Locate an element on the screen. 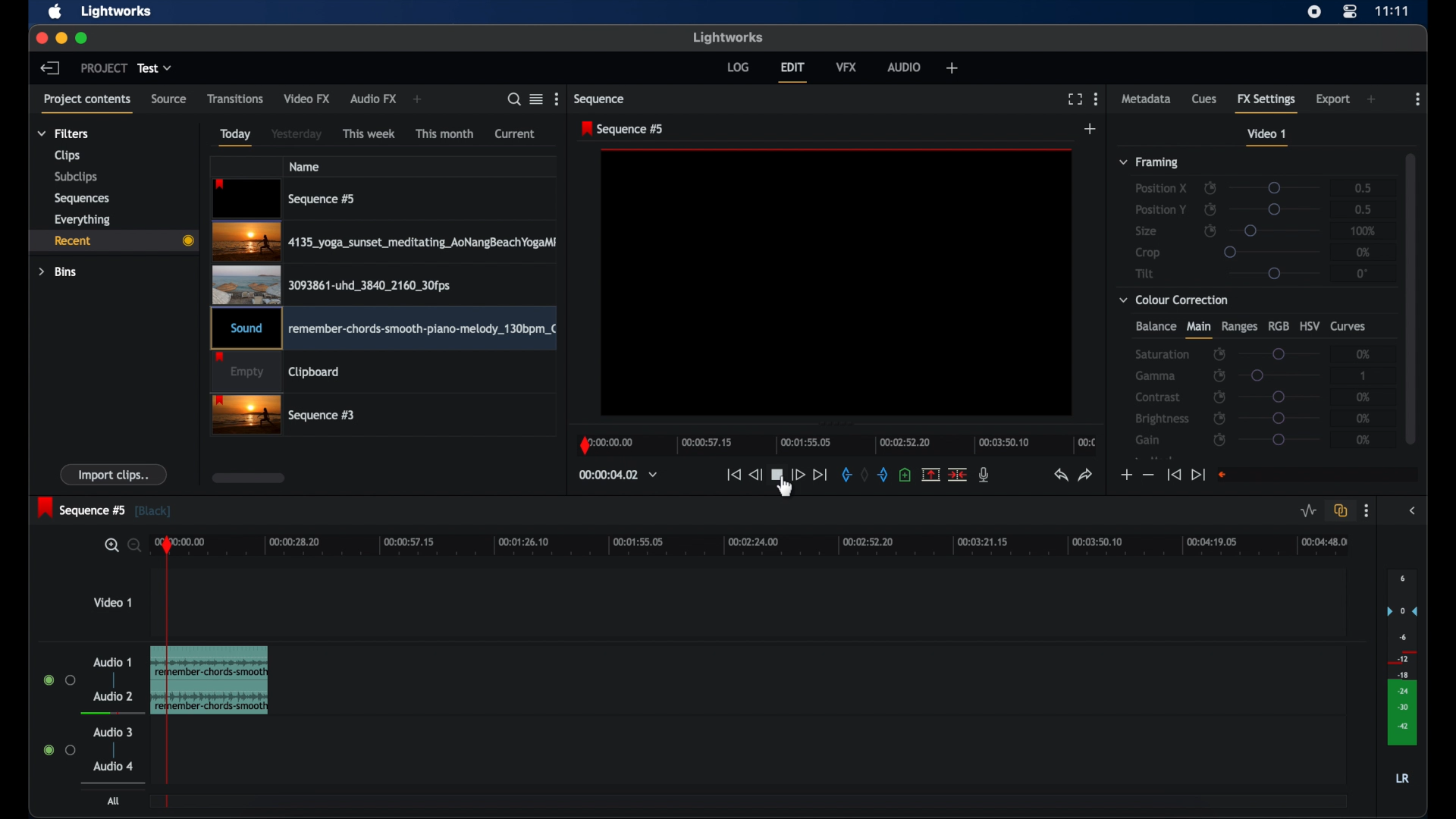 This screenshot has width=1456, height=819. toggle list or tile view is located at coordinates (536, 99).